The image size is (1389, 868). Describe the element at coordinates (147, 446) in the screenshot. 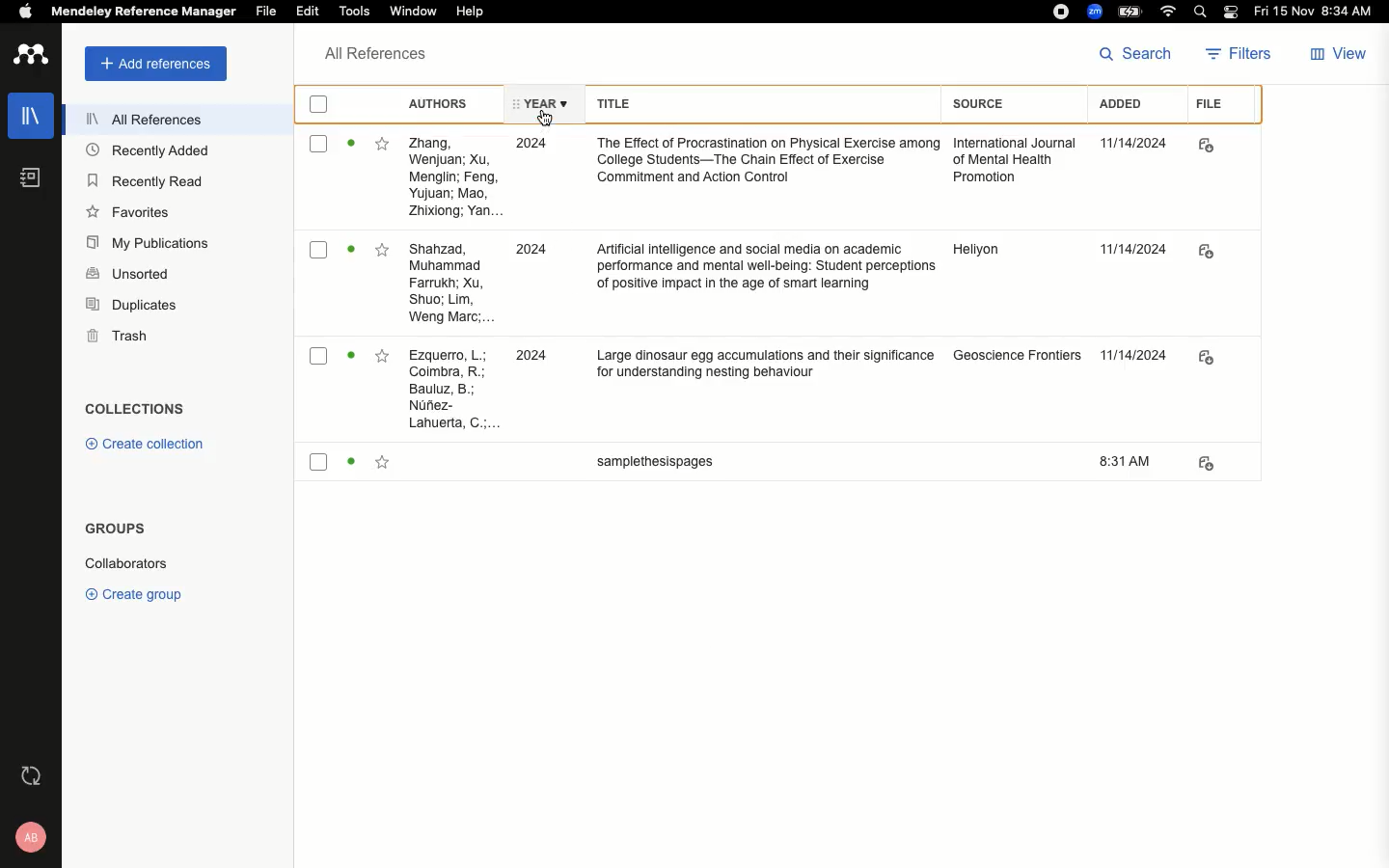

I see `Create collection` at that location.